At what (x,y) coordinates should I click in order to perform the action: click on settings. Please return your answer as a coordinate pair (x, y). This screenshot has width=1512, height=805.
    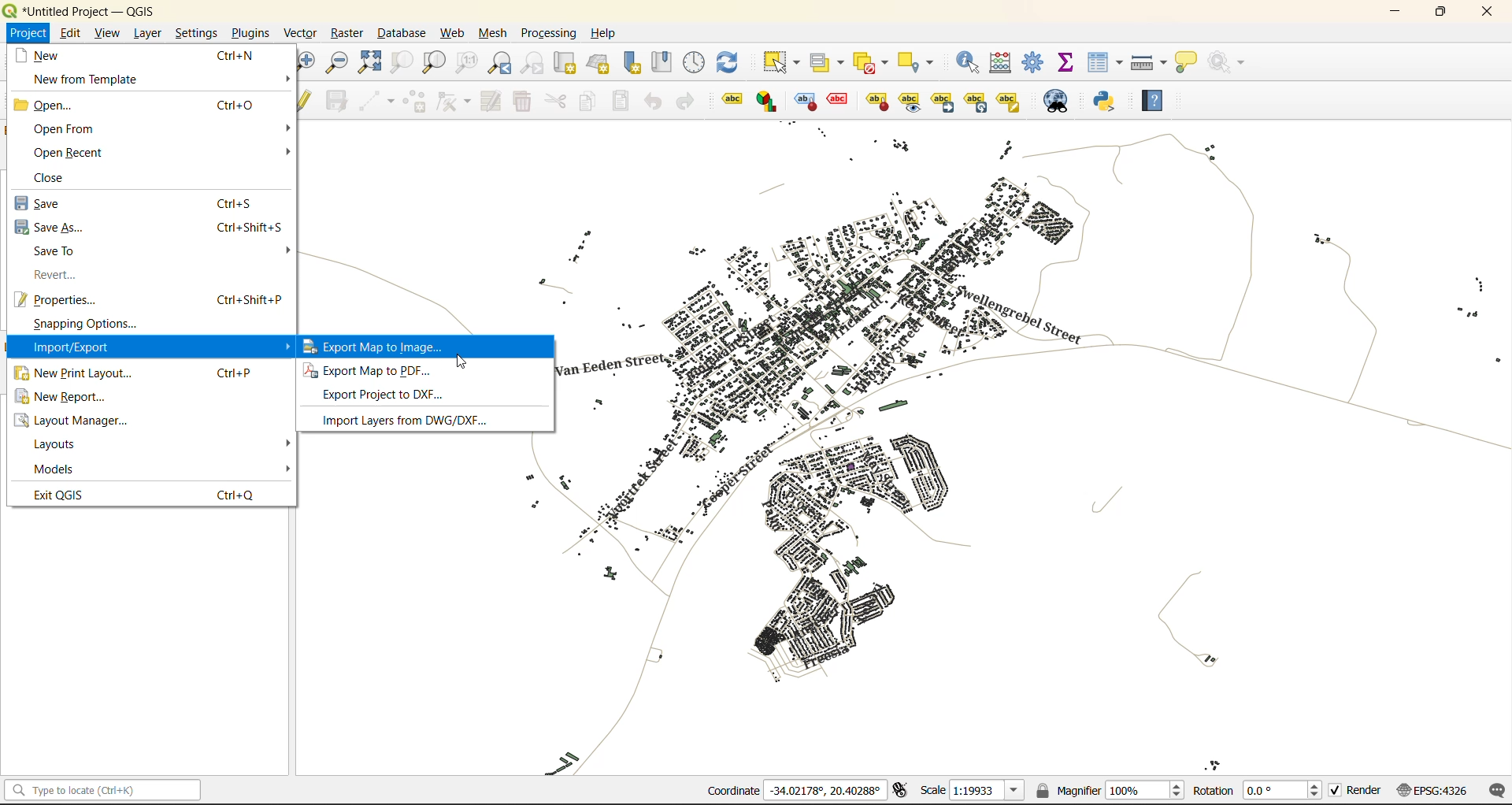
    Looking at the image, I should click on (198, 34).